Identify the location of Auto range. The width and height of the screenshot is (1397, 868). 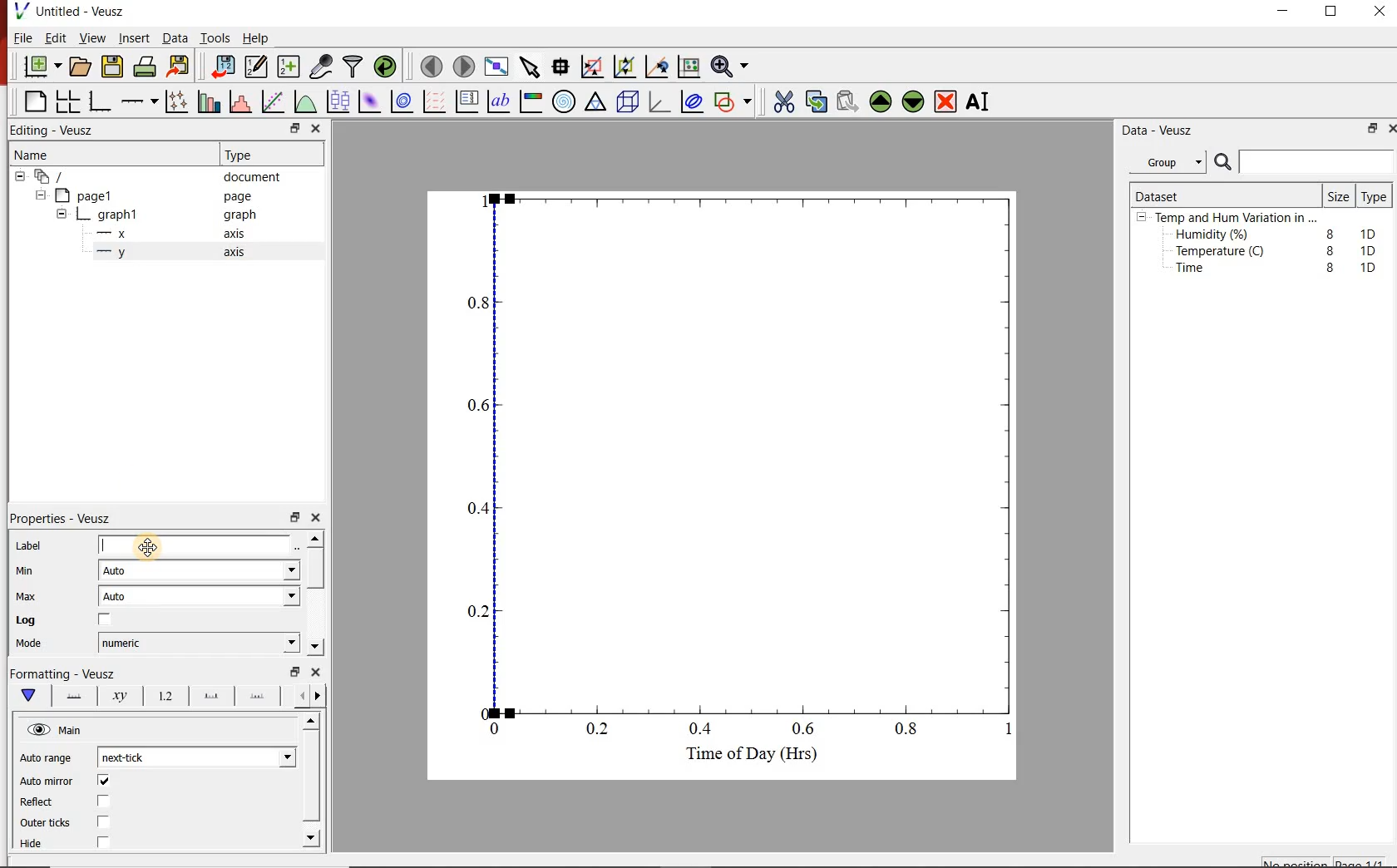
(49, 759).